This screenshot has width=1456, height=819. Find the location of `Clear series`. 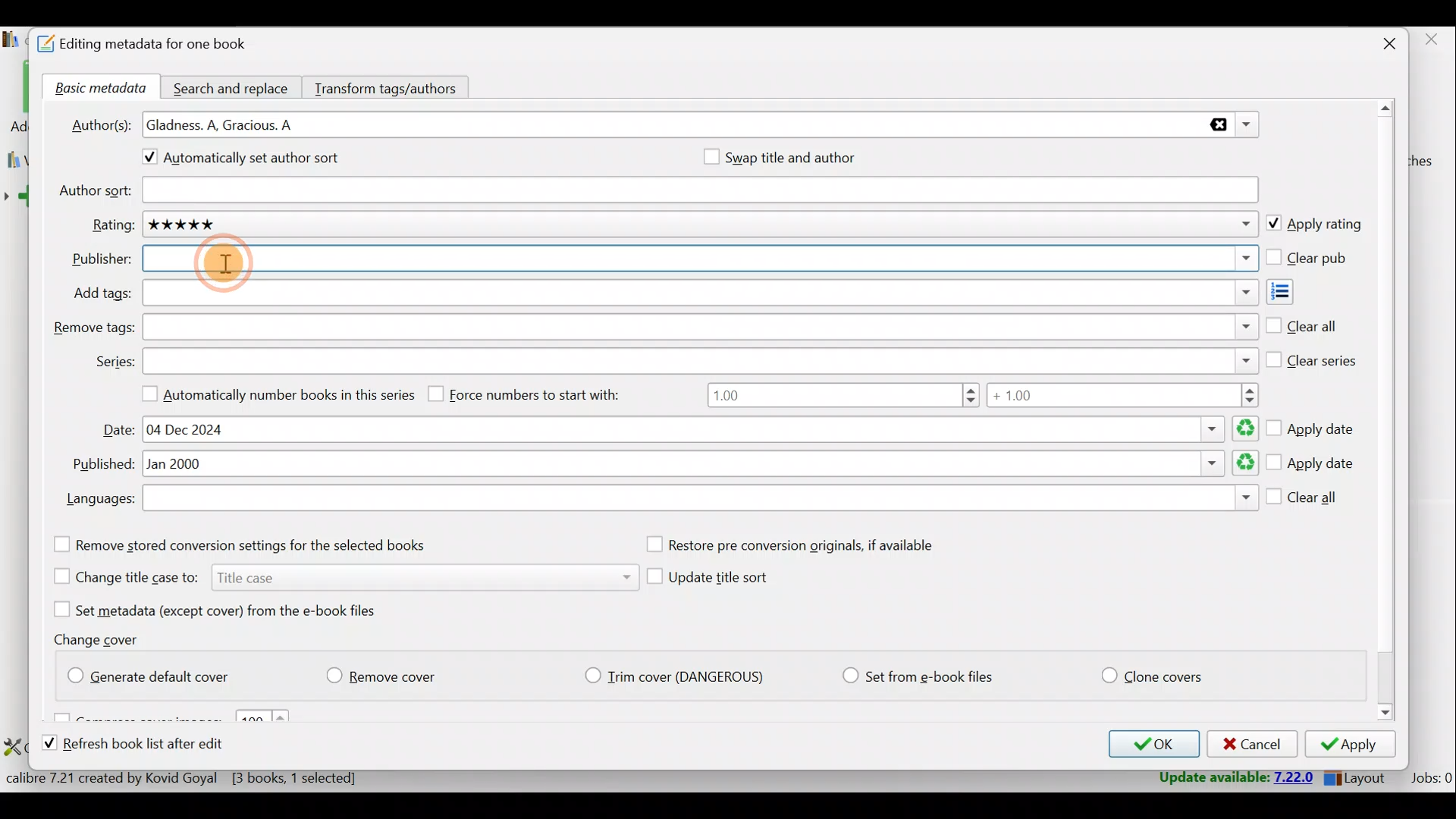

Clear series is located at coordinates (1313, 357).